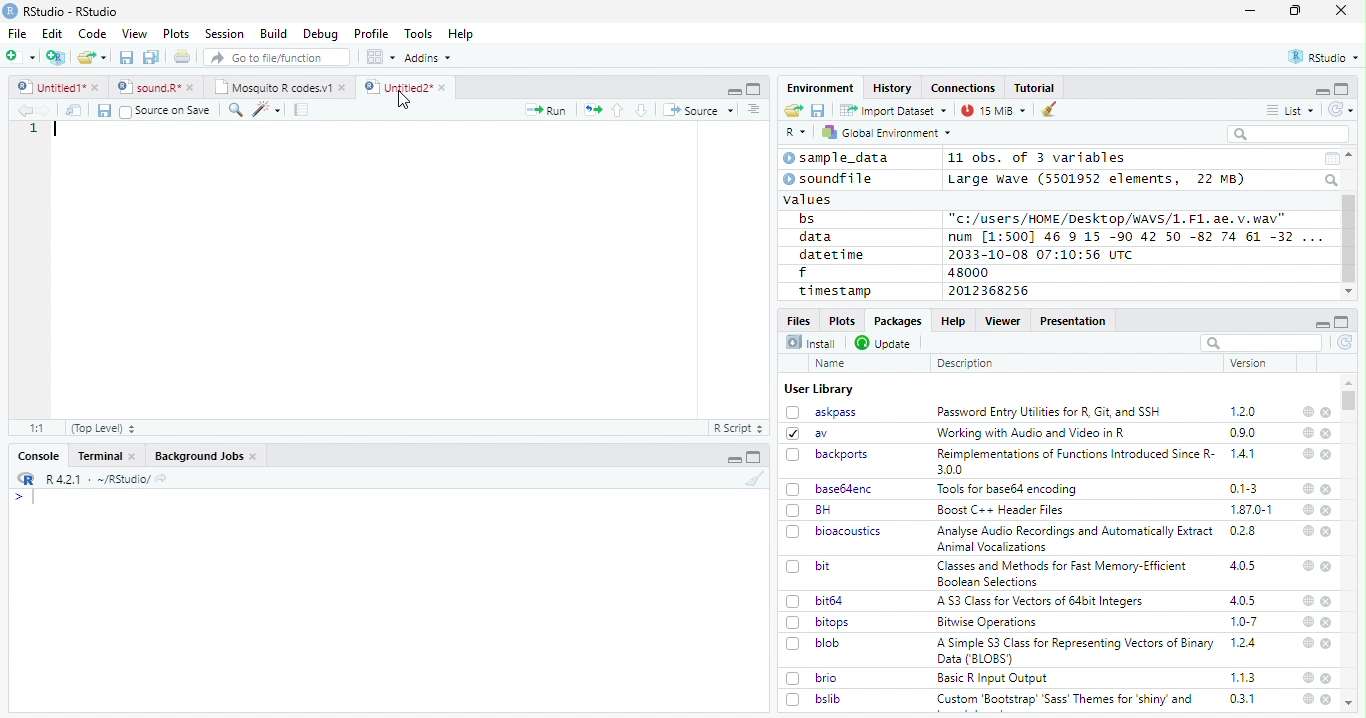  What do you see at coordinates (1243, 677) in the screenshot?
I see `1.1.3` at bounding box center [1243, 677].